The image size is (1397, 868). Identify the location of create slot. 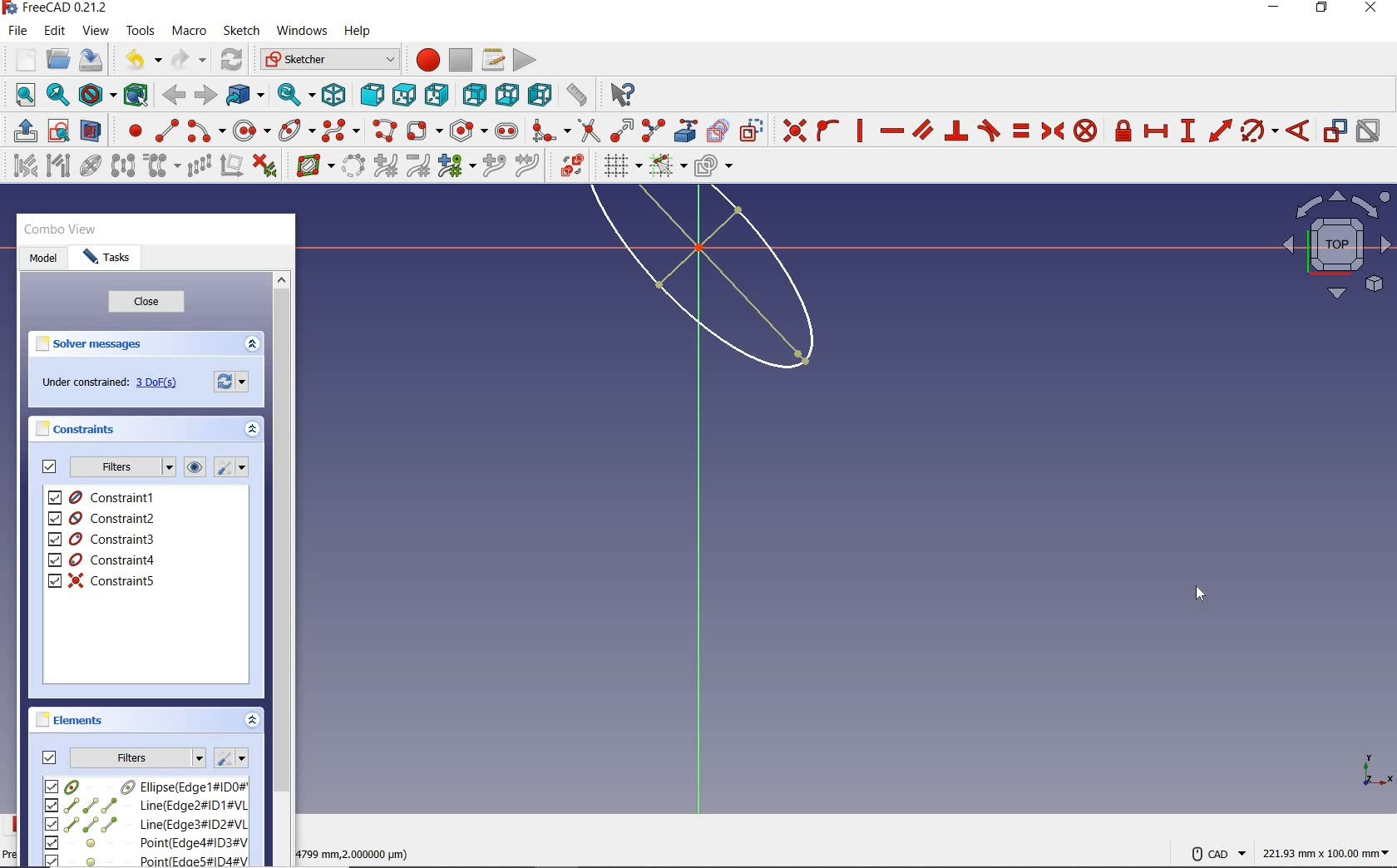
(505, 130).